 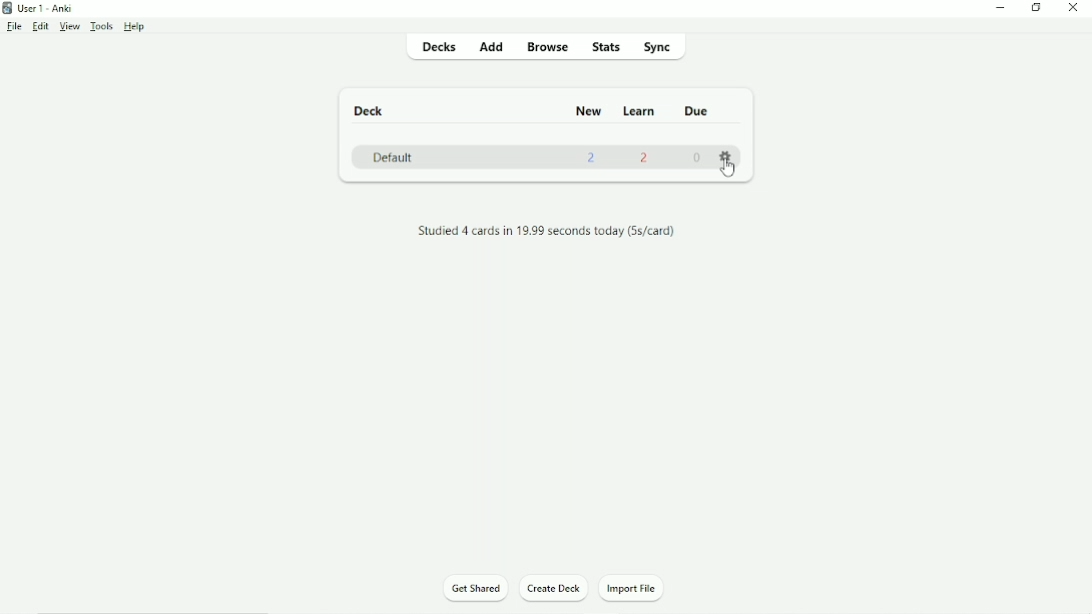 What do you see at coordinates (476, 589) in the screenshot?
I see `Get Shared` at bounding box center [476, 589].